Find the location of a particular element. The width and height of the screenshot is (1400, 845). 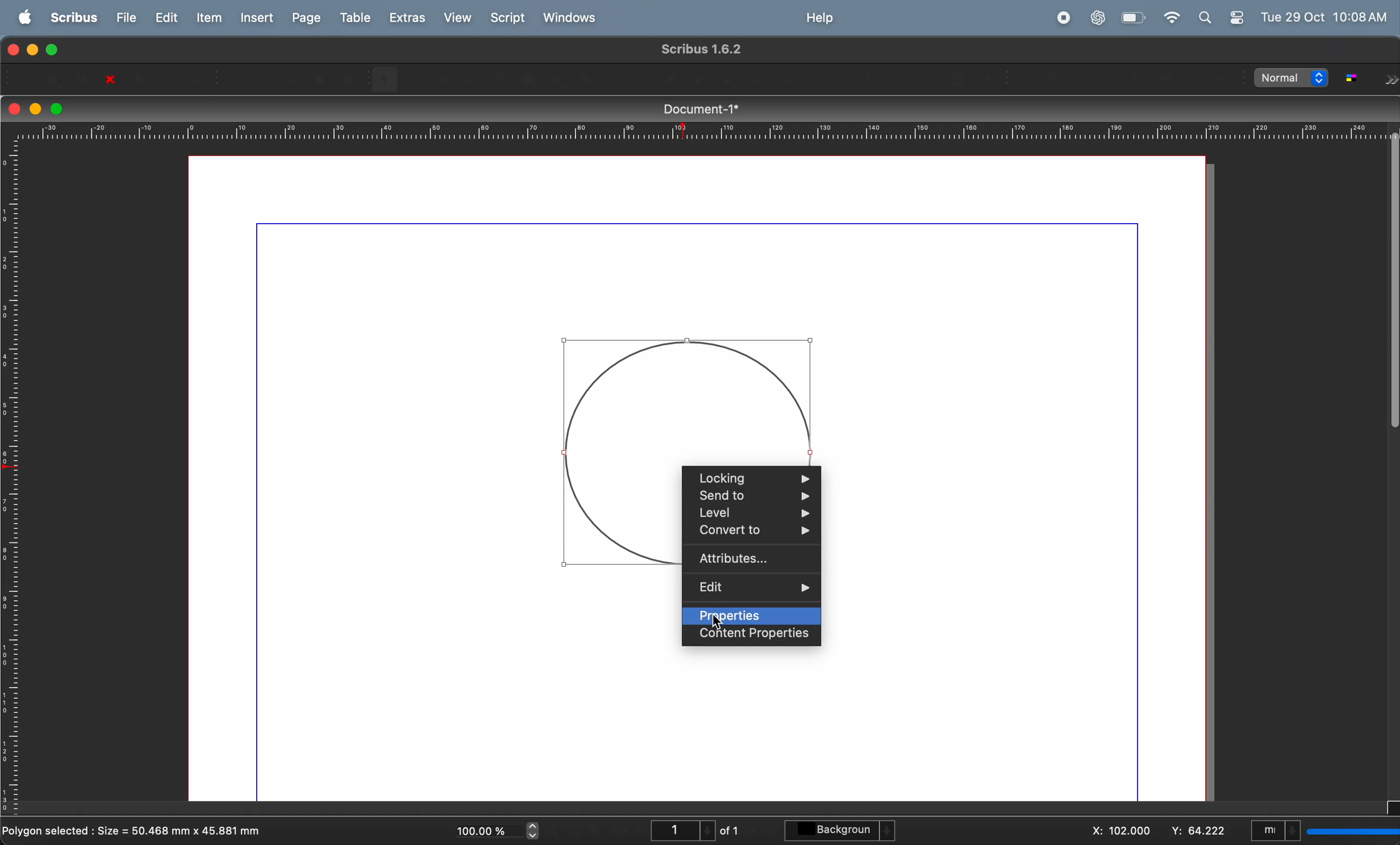

minimize is located at coordinates (31, 49).